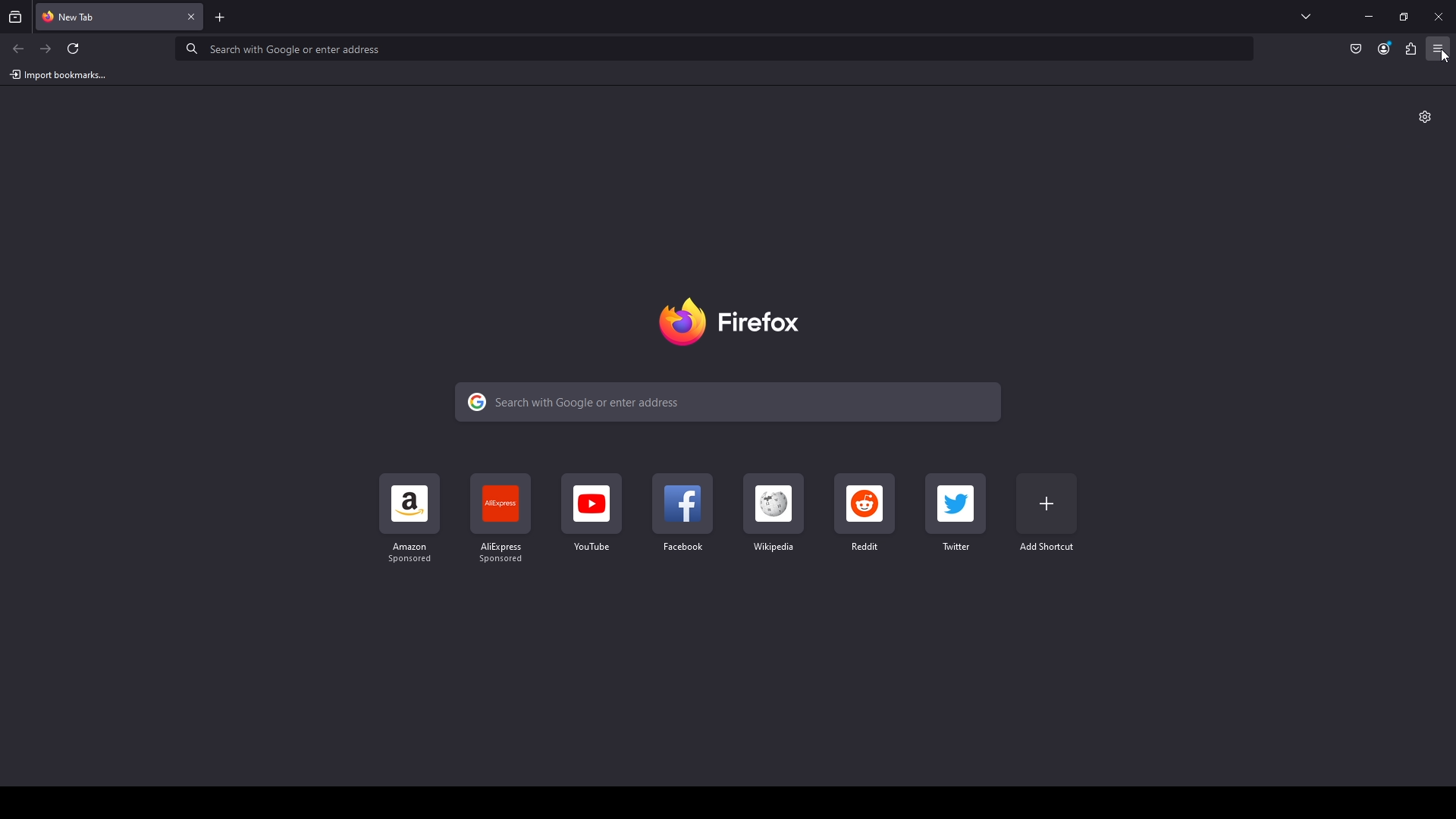 Image resolution: width=1456 pixels, height=819 pixels. Describe the element at coordinates (681, 514) in the screenshot. I see `Facebook` at that location.